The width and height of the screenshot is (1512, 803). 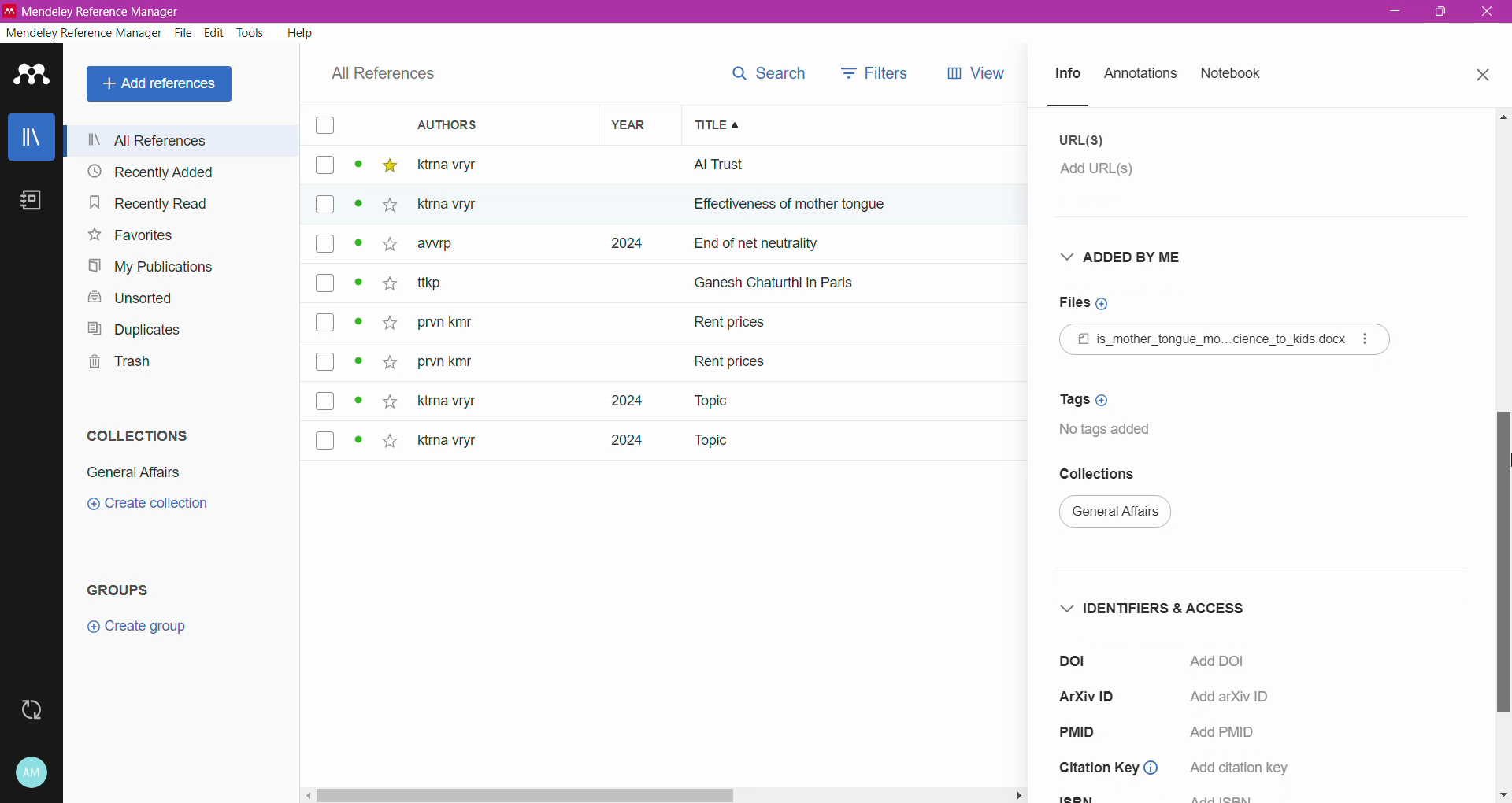 I want to click on rent prices , so click(x=732, y=359).